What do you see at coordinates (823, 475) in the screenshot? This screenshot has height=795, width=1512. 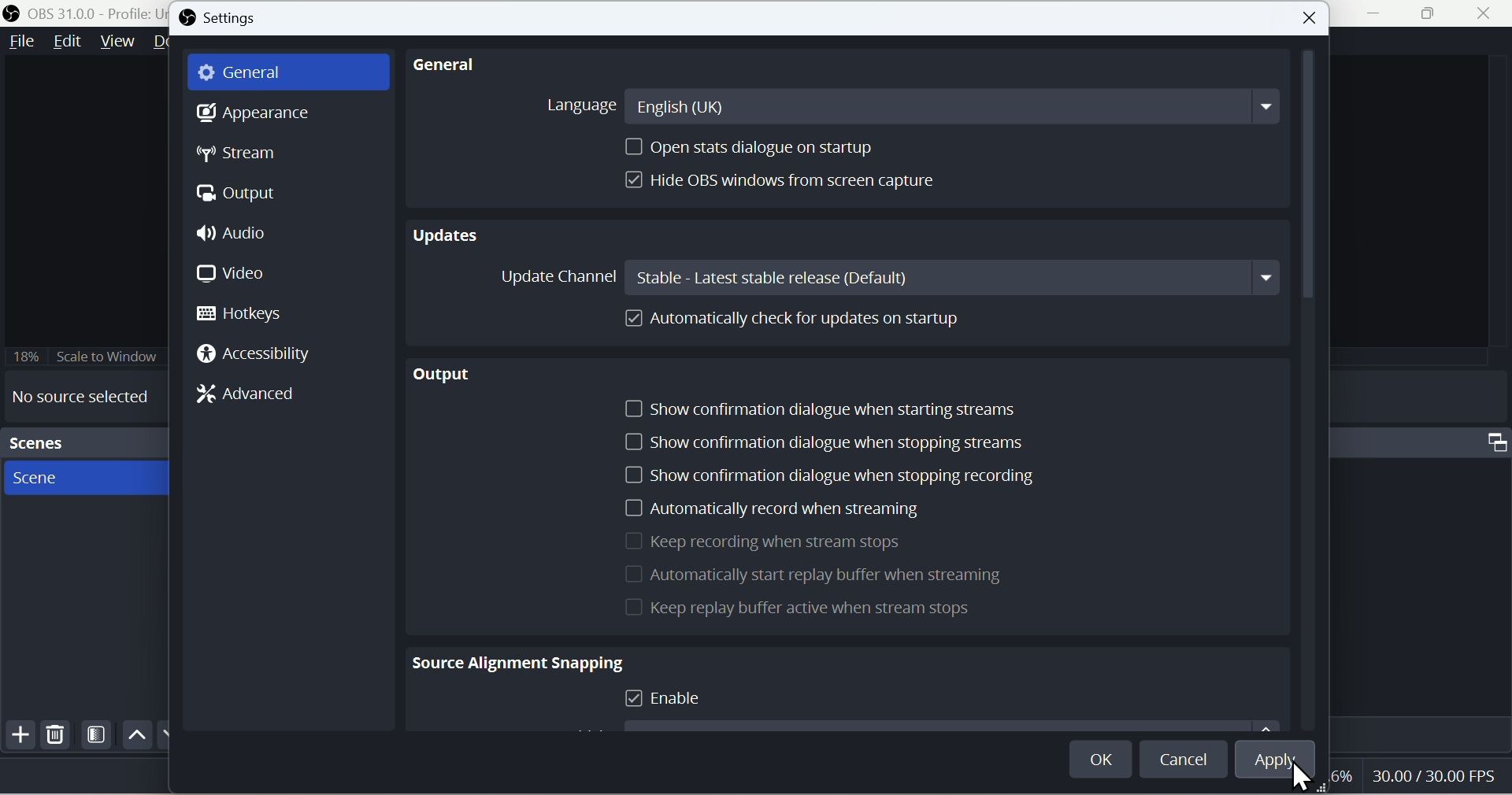 I see `Show confirmation dialogue when you stop recording` at bounding box center [823, 475].